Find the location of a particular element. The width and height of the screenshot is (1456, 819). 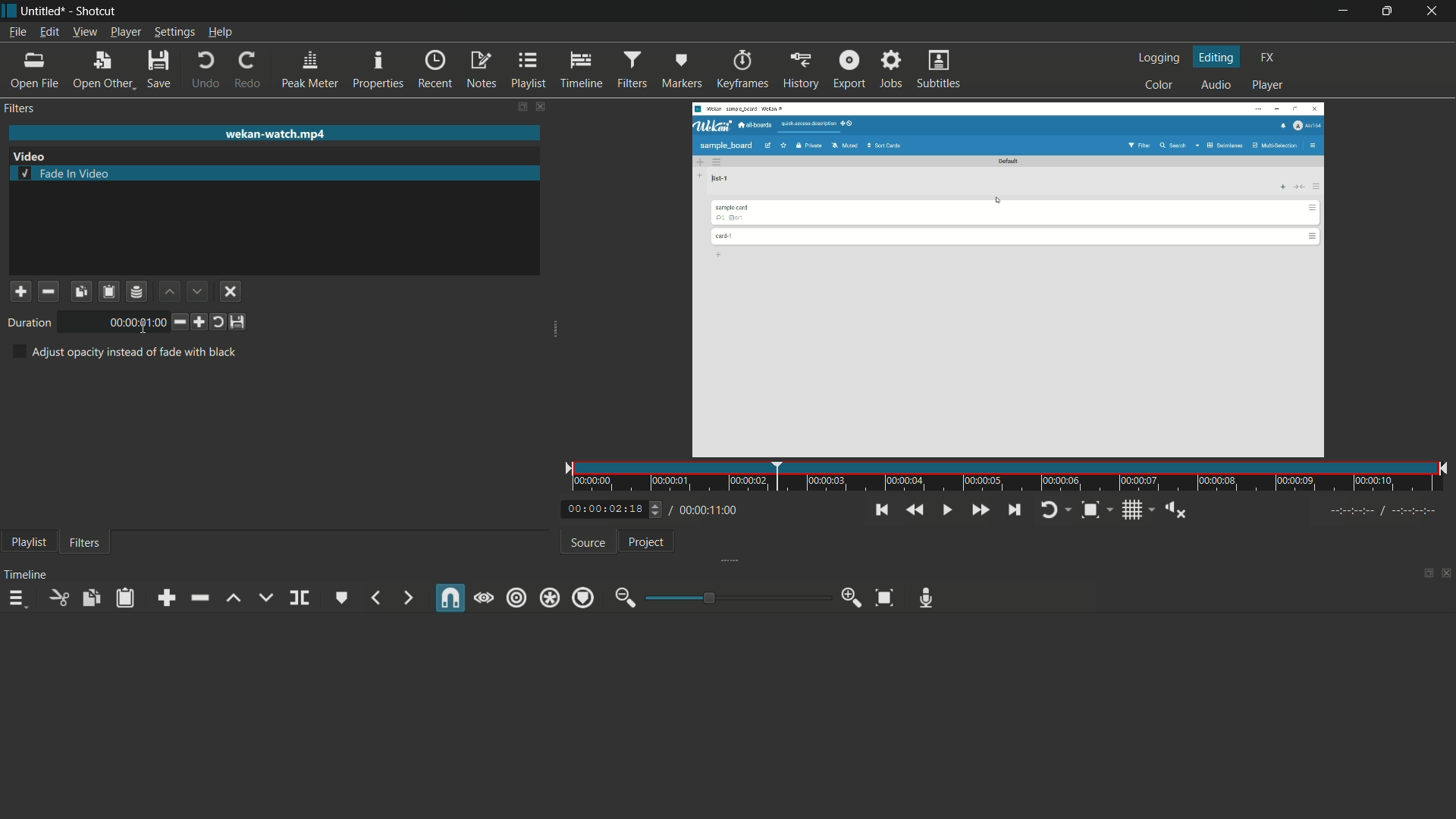

cursor is located at coordinates (143, 327).